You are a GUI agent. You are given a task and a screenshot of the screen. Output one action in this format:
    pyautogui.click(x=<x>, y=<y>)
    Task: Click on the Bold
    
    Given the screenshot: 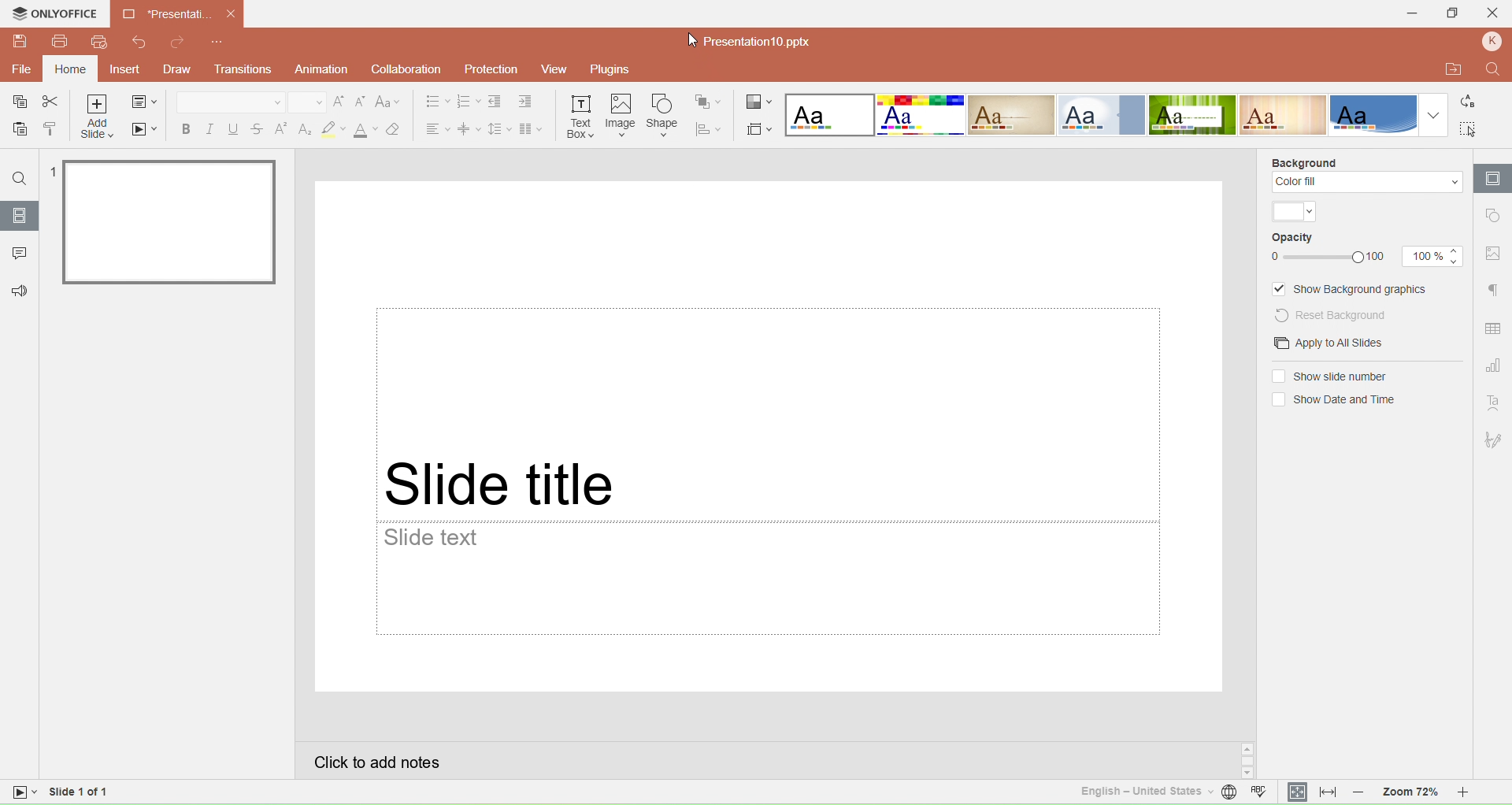 What is the action you would take?
    pyautogui.click(x=183, y=128)
    